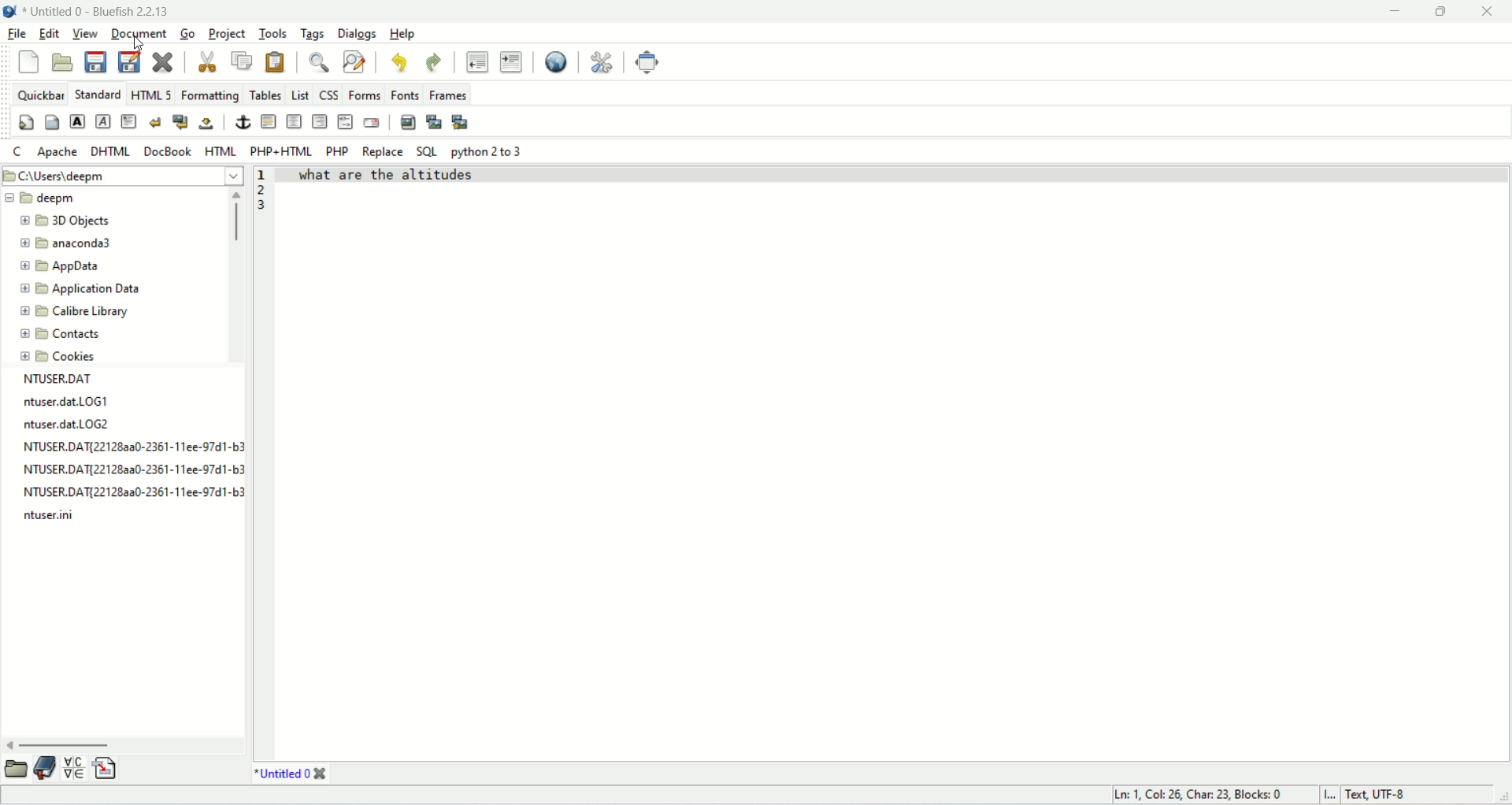  What do you see at coordinates (56, 152) in the screenshot?
I see `Apache` at bounding box center [56, 152].